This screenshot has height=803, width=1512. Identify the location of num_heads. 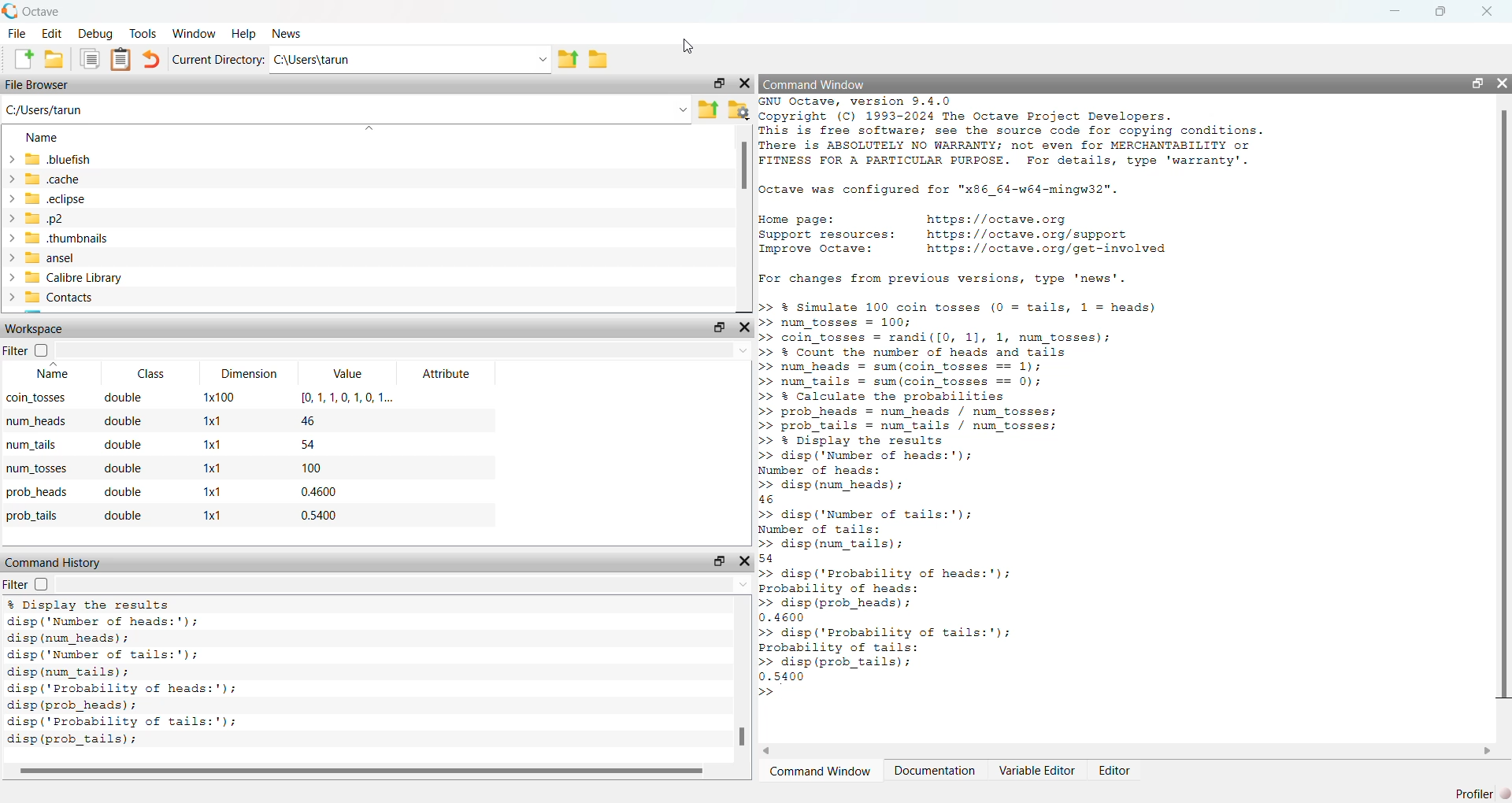
(37, 421).